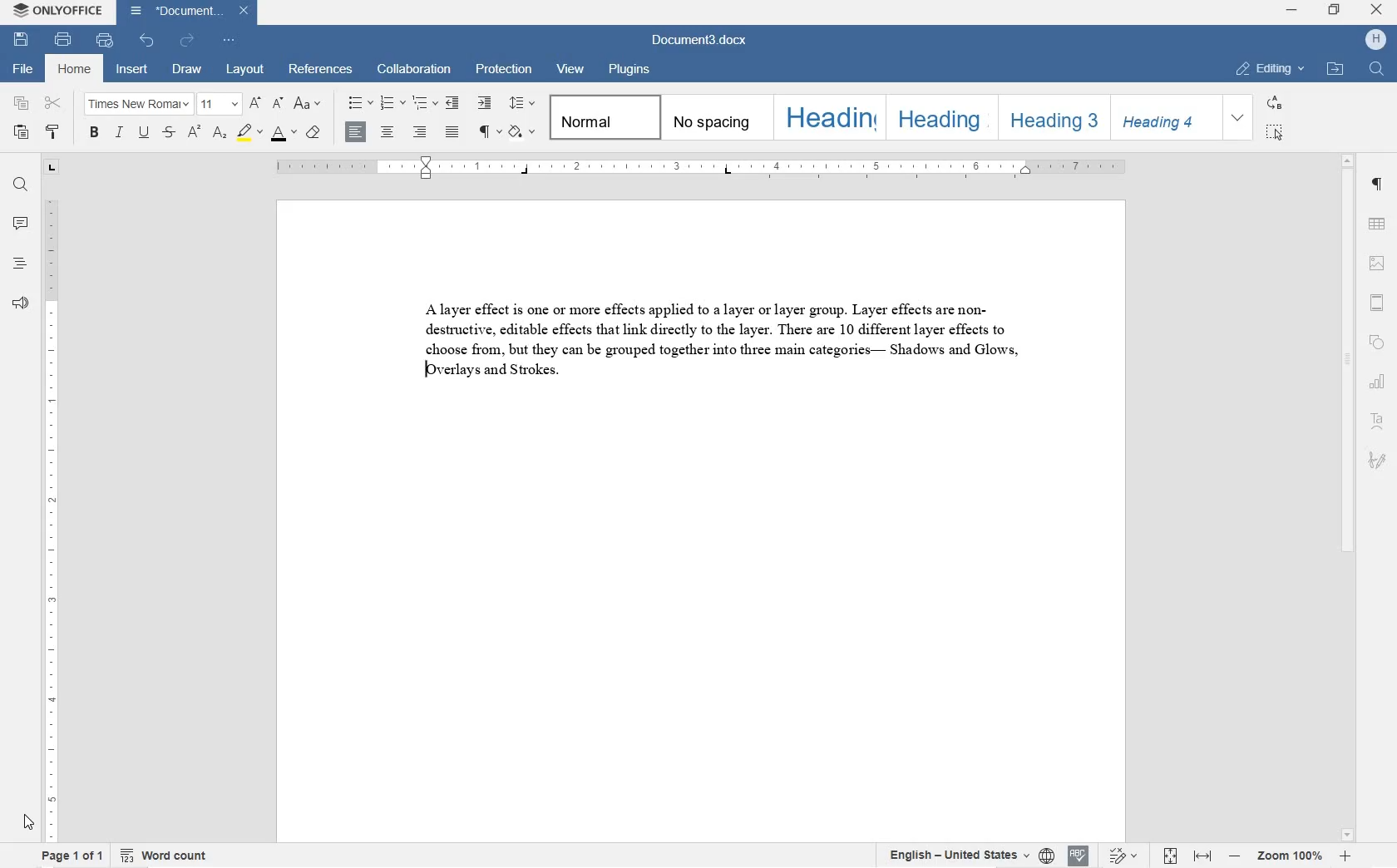  What do you see at coordinates (965, 855) in the screenshot?
I see `set text or document language` at bounding box center [965, 855].